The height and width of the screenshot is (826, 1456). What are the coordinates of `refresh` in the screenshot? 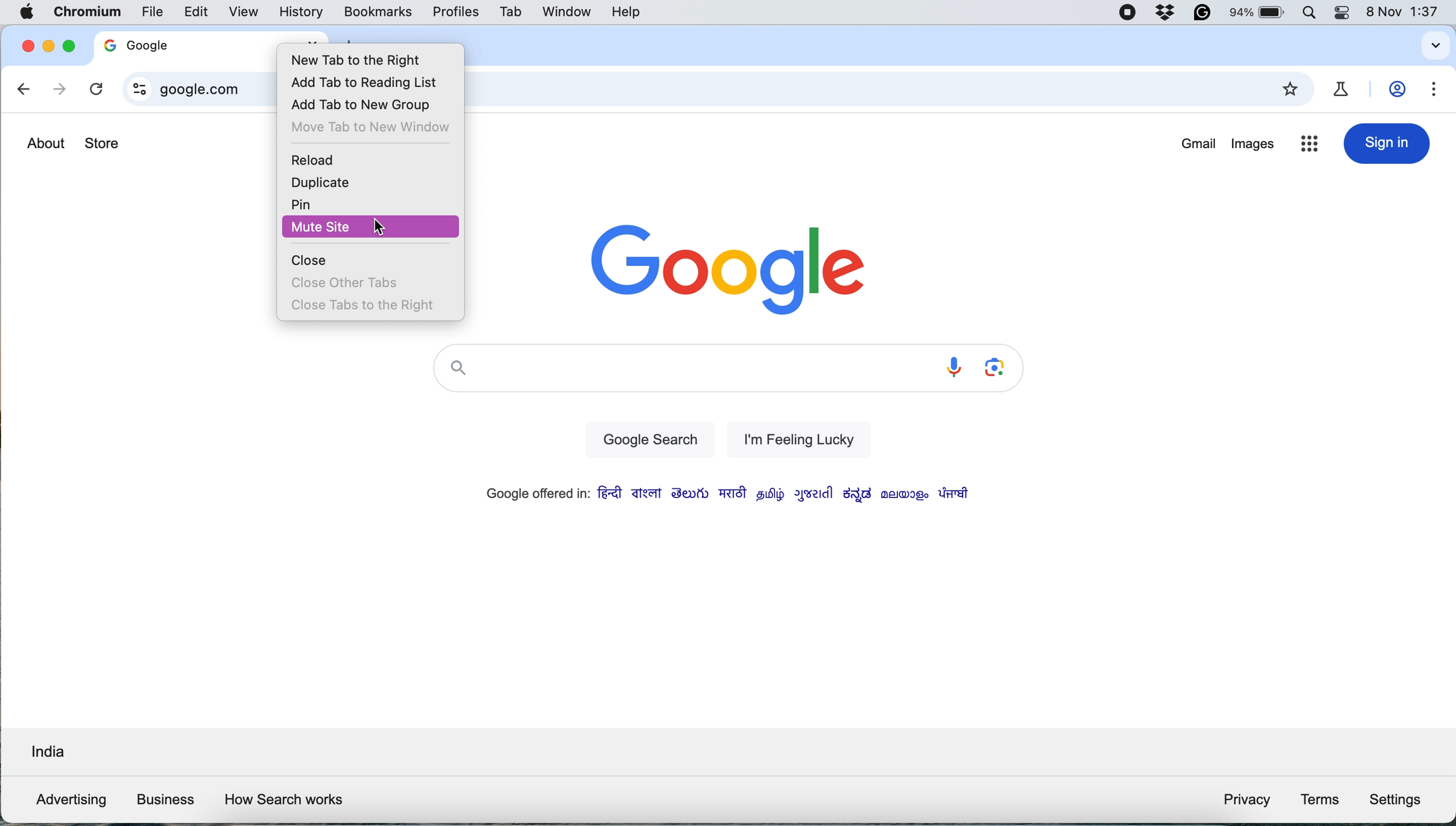 It's located at (95, 90).